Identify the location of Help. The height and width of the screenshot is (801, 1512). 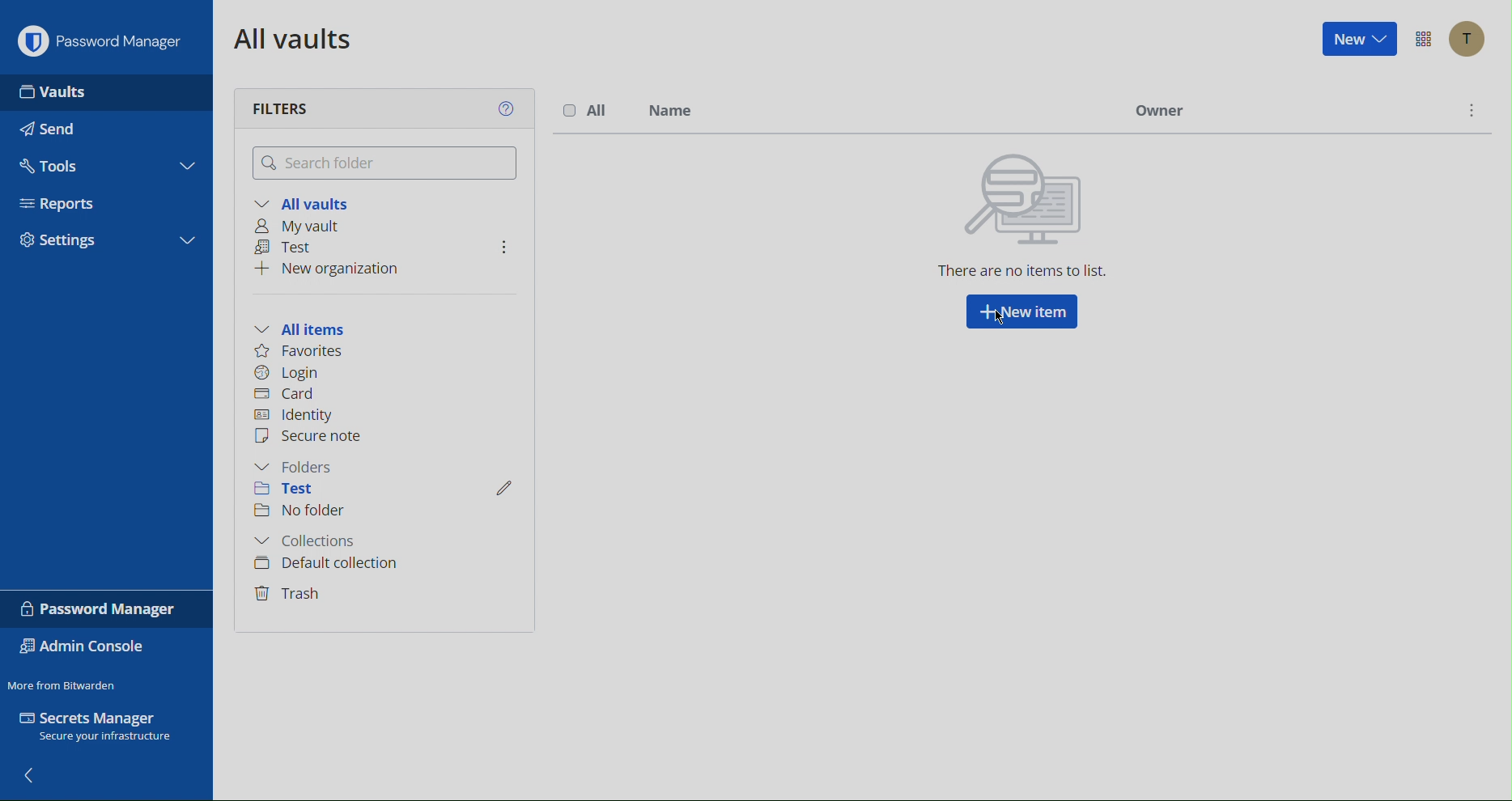
(508, 108).